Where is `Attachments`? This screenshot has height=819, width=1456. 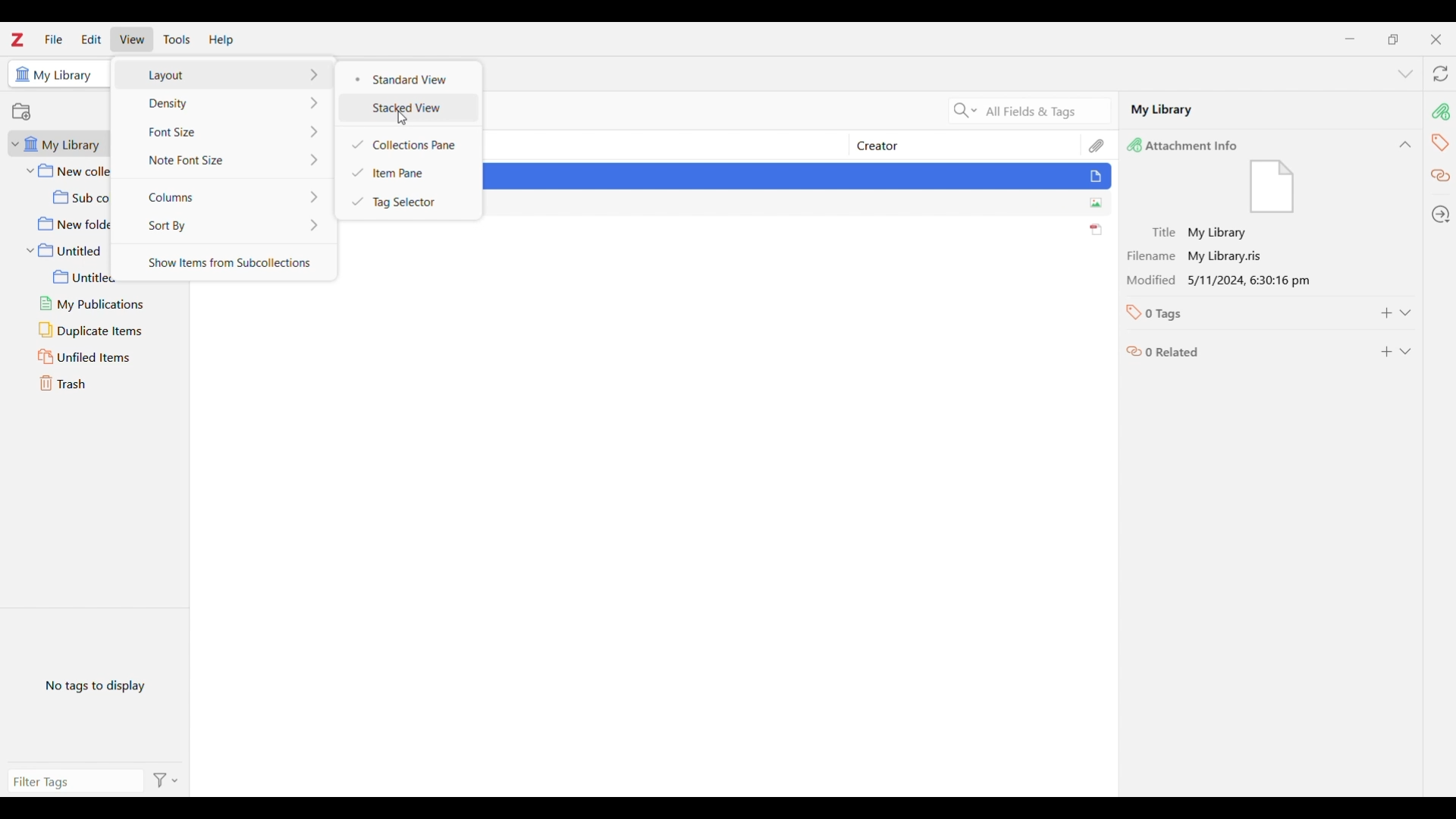
Attachments is located at coordinates (1441, 107).